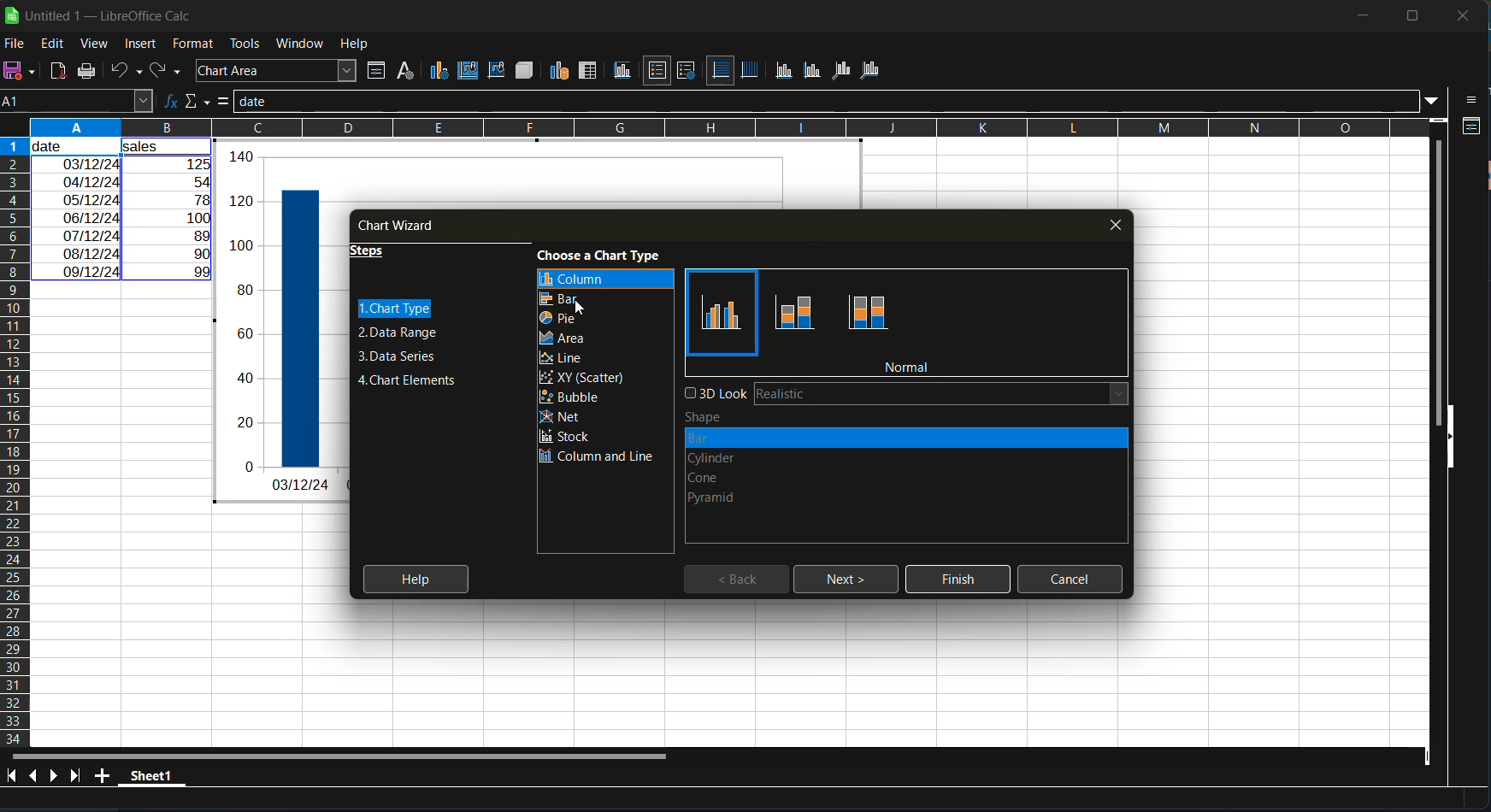 This screenshot has width=1491, height=812. What do you see at coordinates (873, 70) in the screenshot?
I see `all axis` at bounding box center [873, 70].